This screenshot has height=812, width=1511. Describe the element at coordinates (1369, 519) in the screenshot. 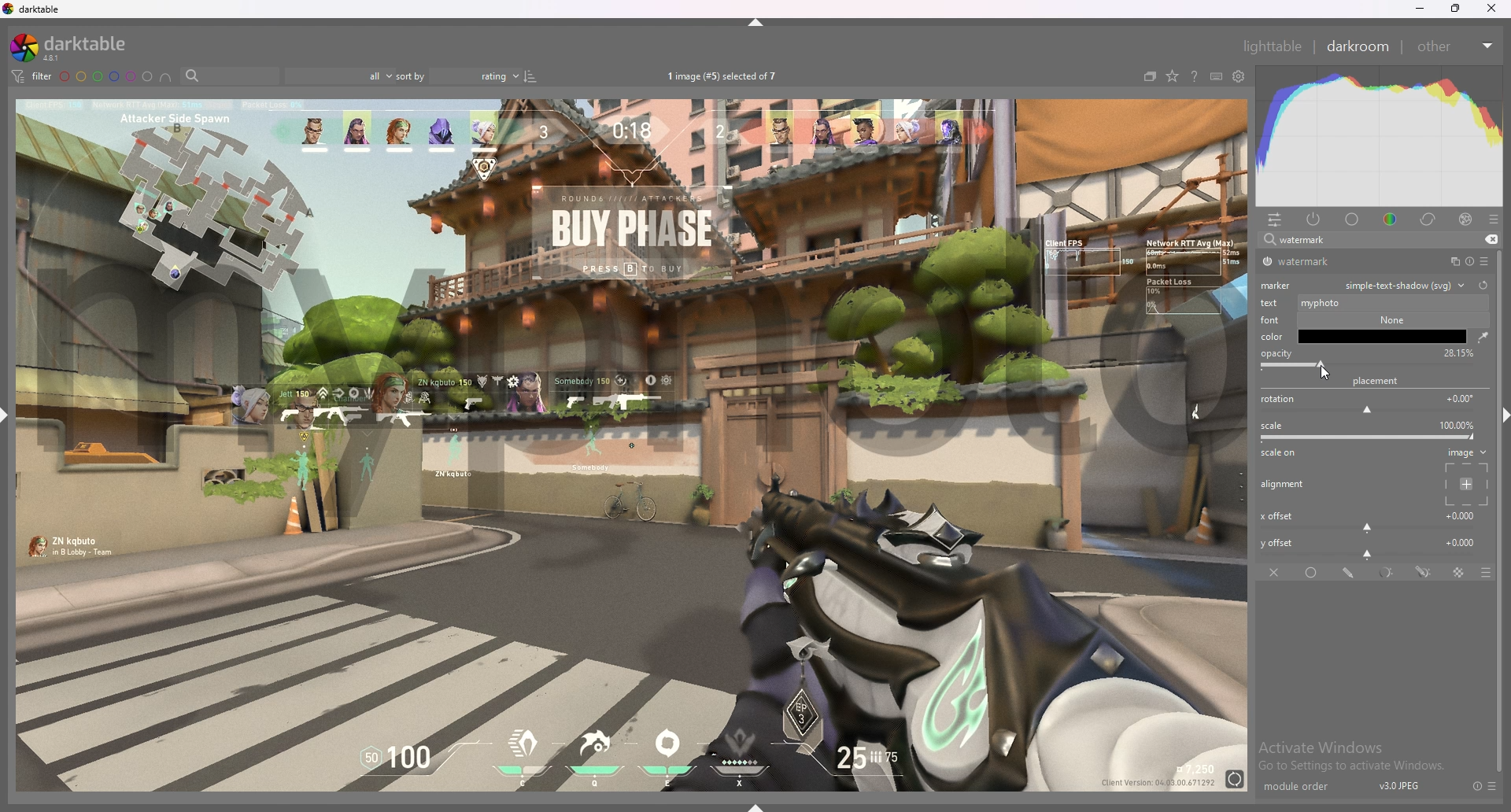

I see `xoffset` at that location.